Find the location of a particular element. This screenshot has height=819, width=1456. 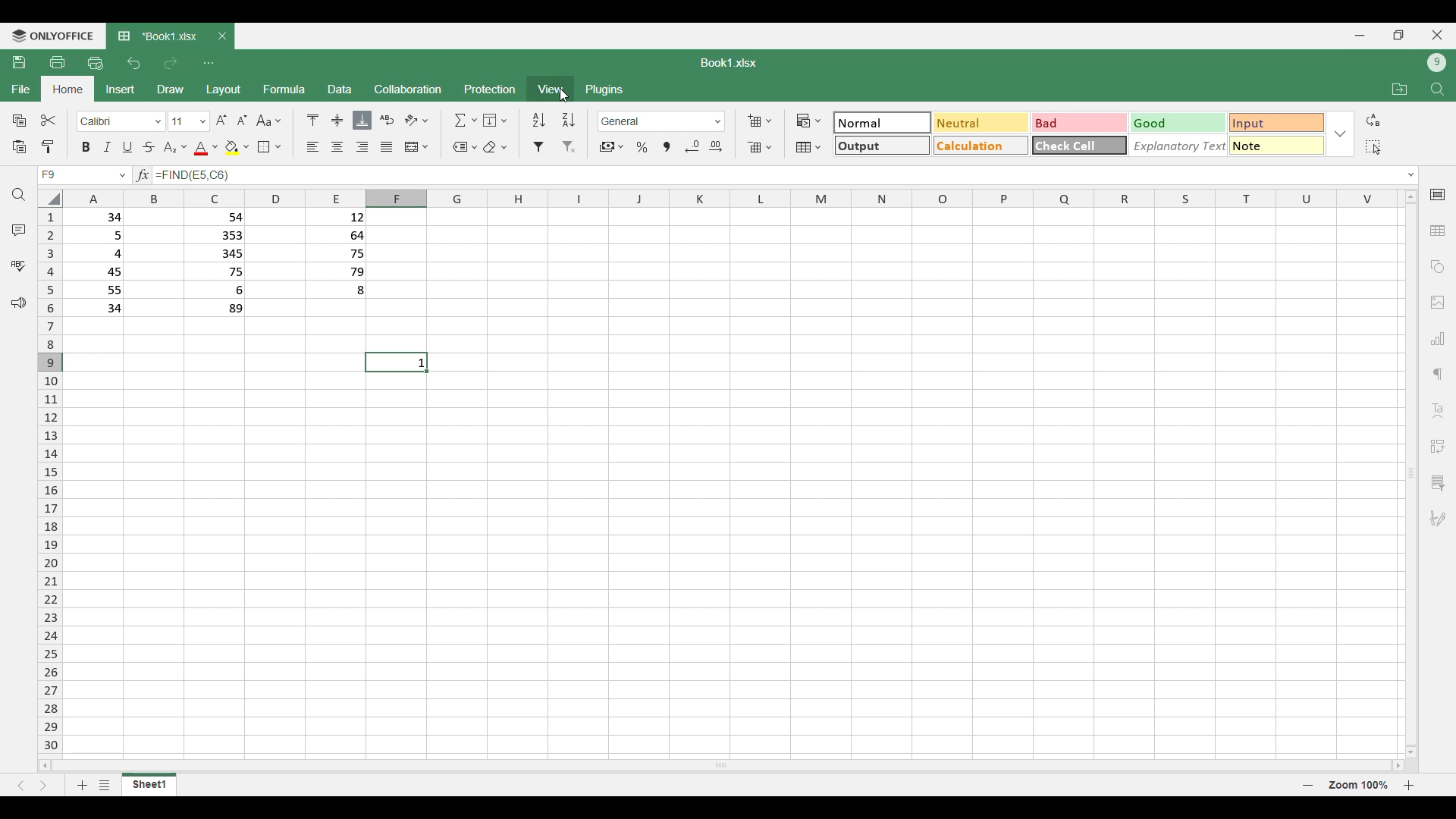

Bold is located at coordinates (86, 148).